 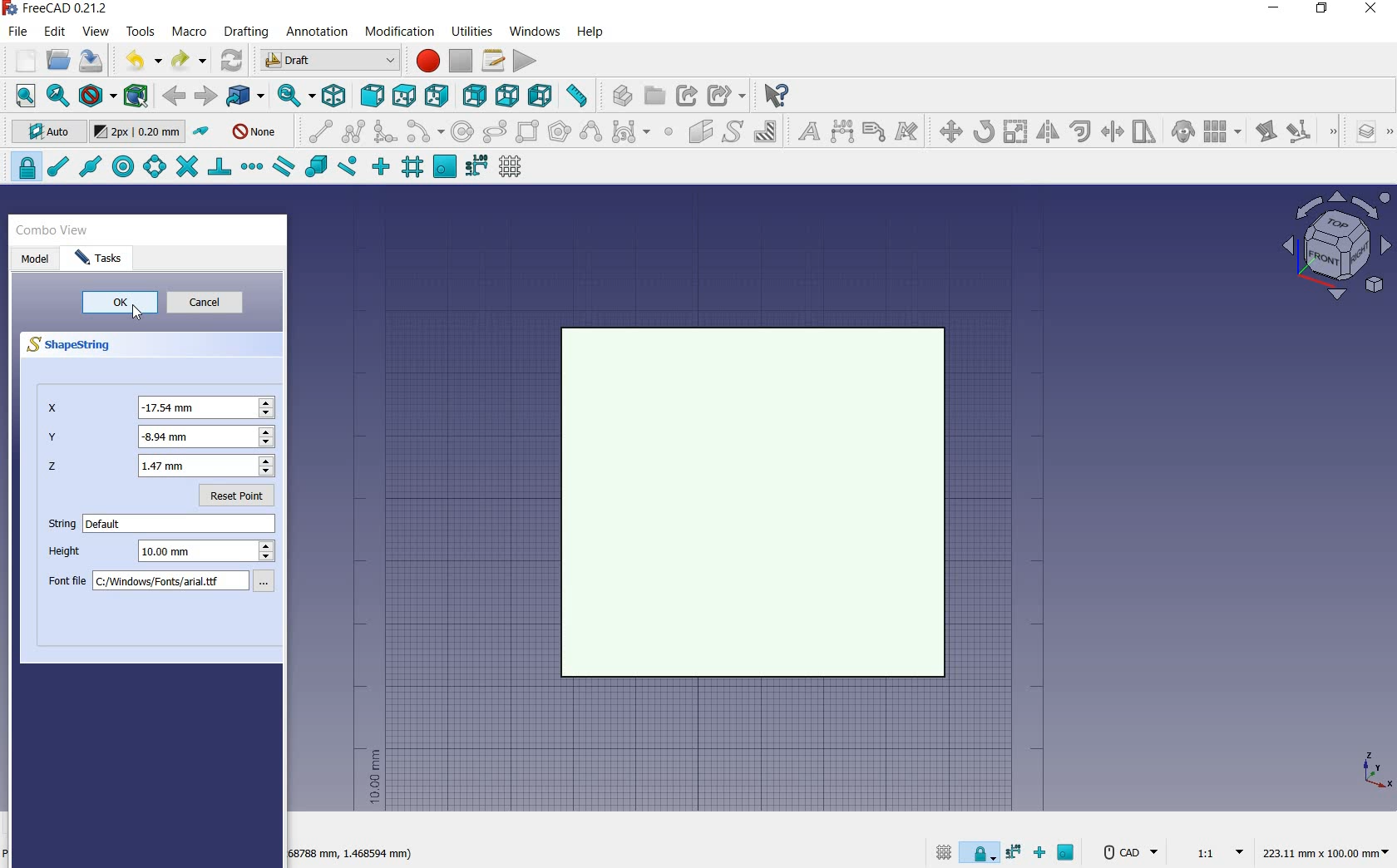 I want to click on top, so click(x=405, y=95).